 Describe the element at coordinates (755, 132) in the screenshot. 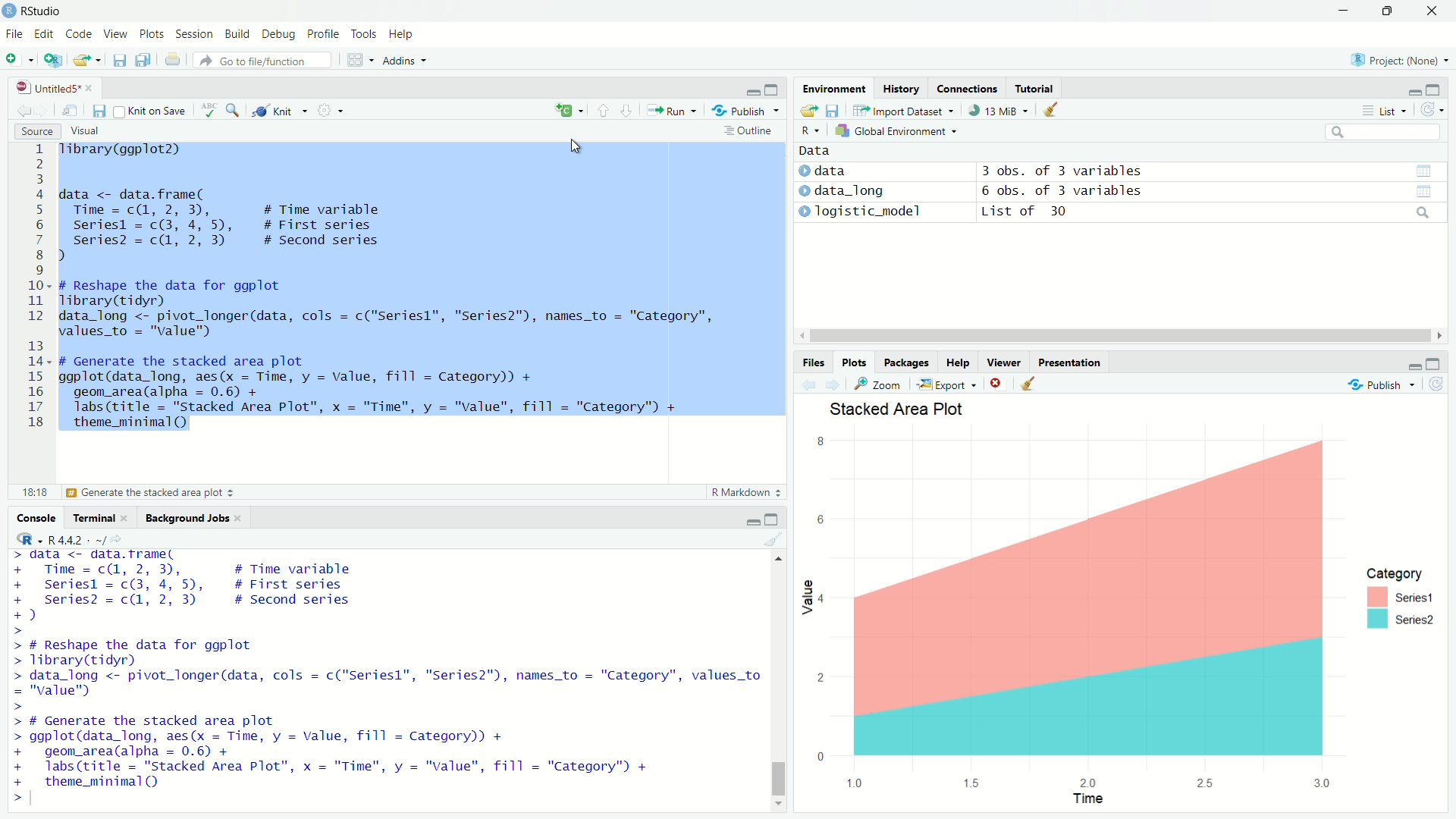

I see `: Outline` at that location.